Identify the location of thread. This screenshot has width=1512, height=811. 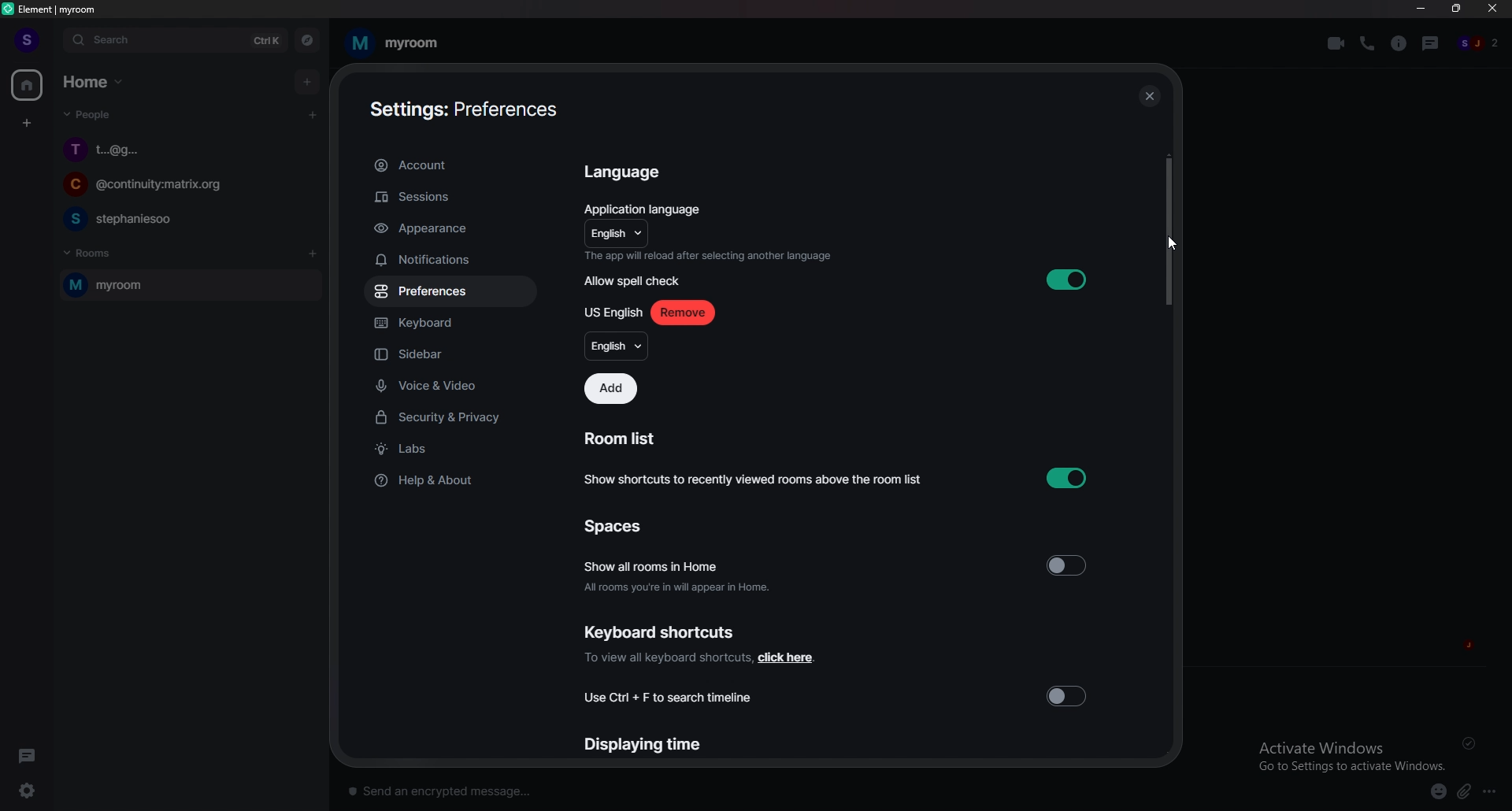
(1432, 43).